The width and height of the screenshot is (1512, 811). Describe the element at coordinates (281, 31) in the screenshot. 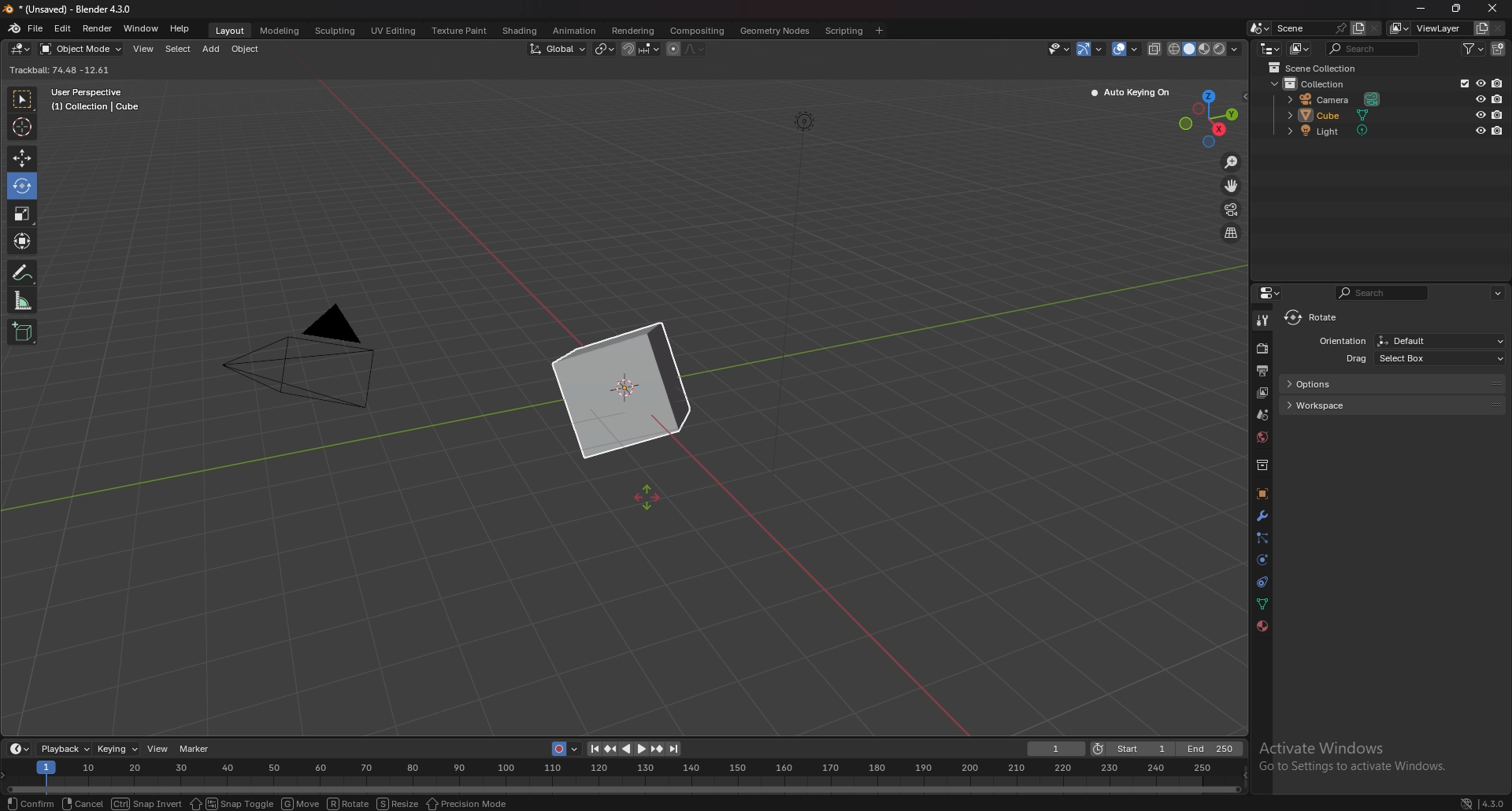

I see `modeling` at that location.